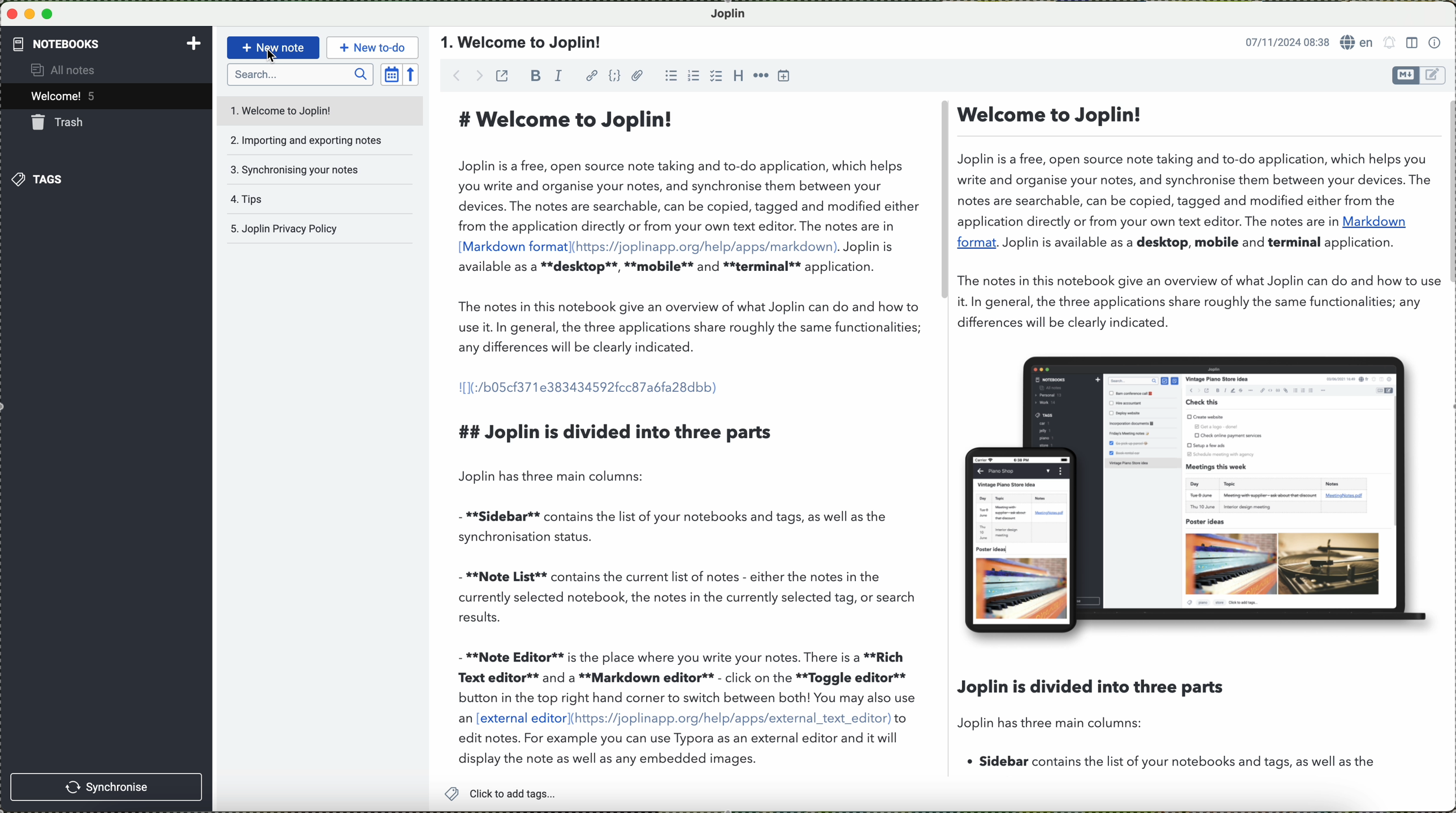 This screenshot has width=1456, height=813. Describe the element at coordinates (760, 75) in the screenshot. I see `horizontal rule` at that location.